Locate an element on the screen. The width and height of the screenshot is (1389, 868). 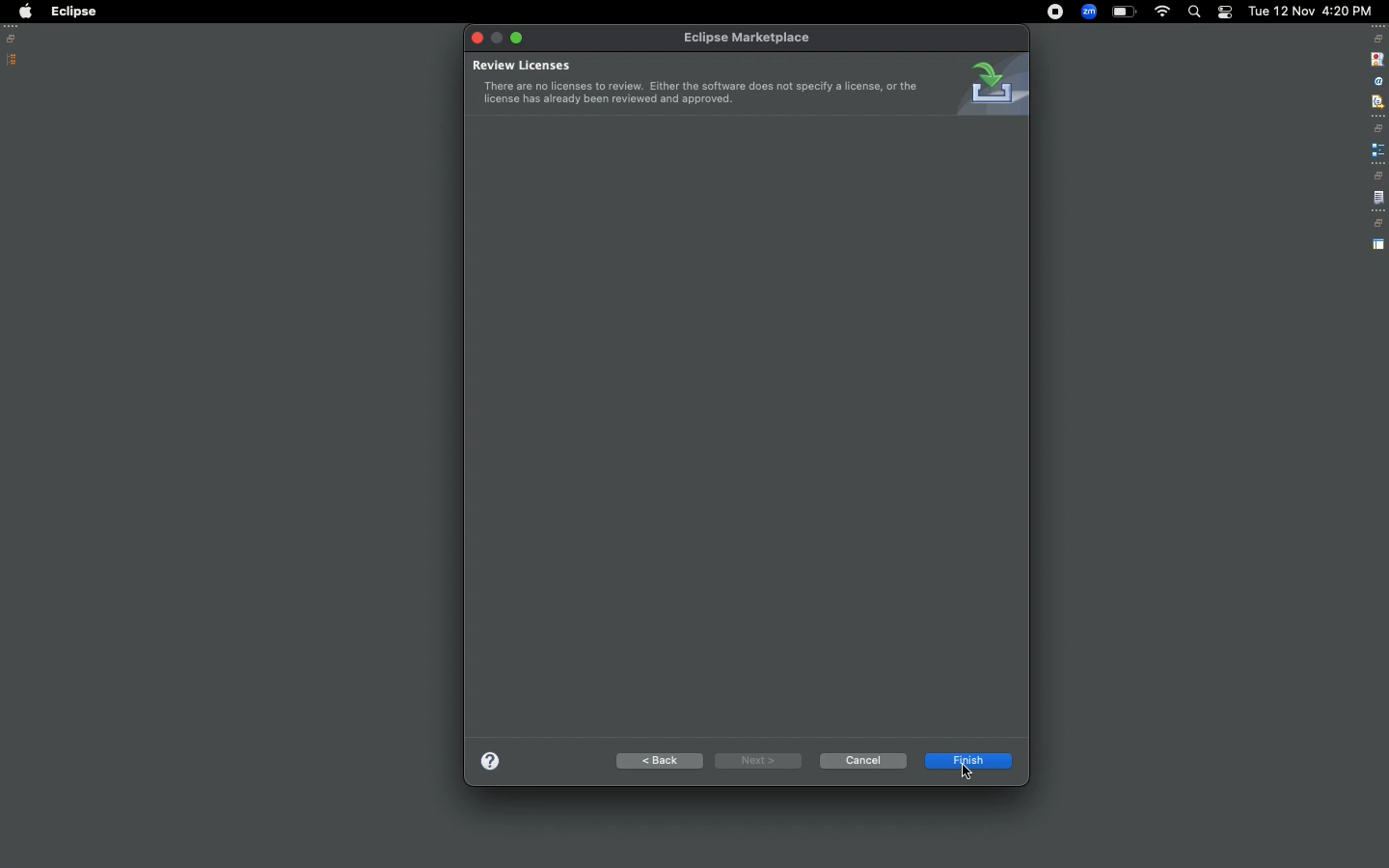
Search is located at coordinates (1193, 12).